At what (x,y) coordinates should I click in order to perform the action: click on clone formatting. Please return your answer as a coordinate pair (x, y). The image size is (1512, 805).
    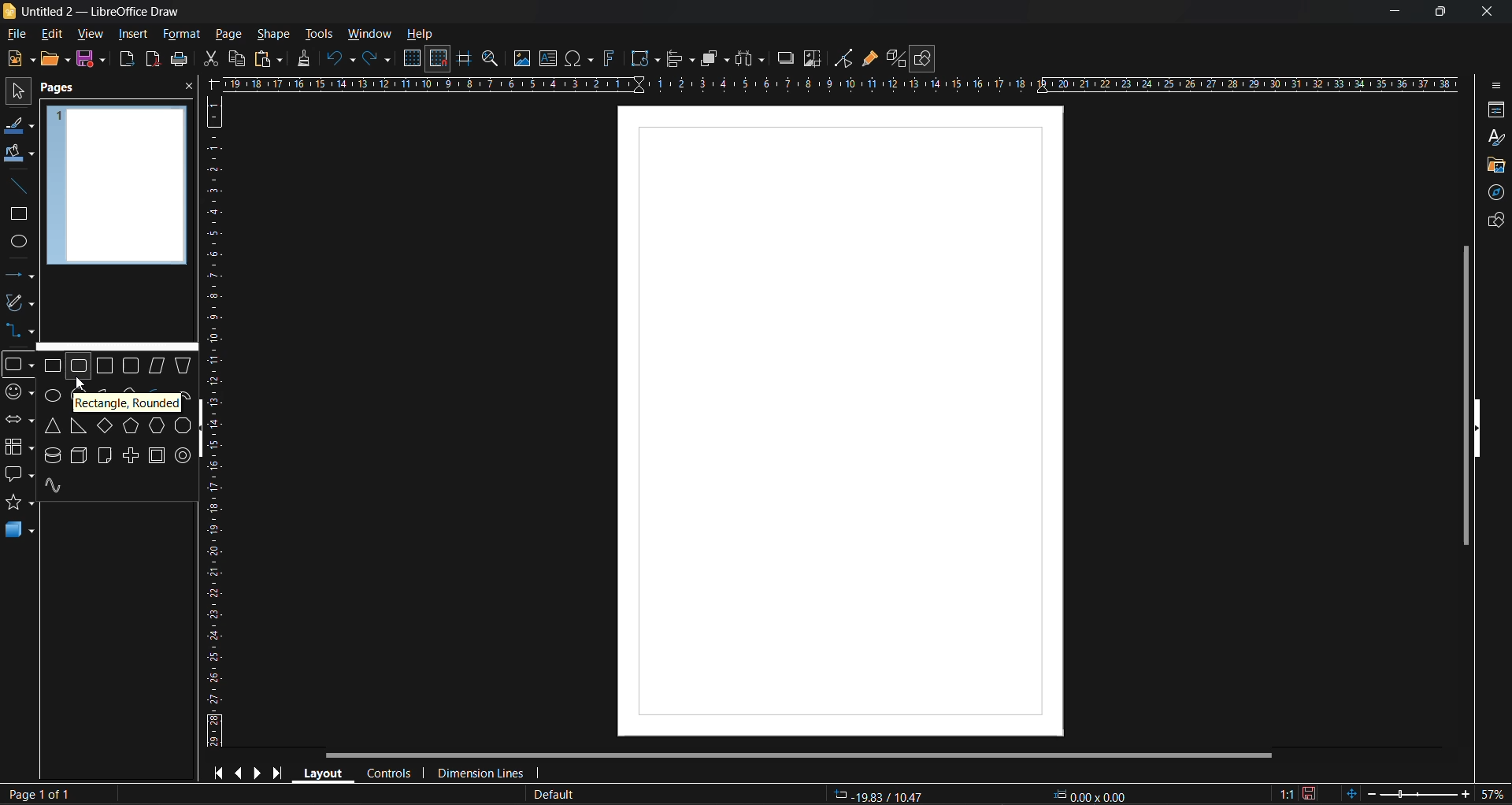
    Looking at the image, I should click on (308, 59).